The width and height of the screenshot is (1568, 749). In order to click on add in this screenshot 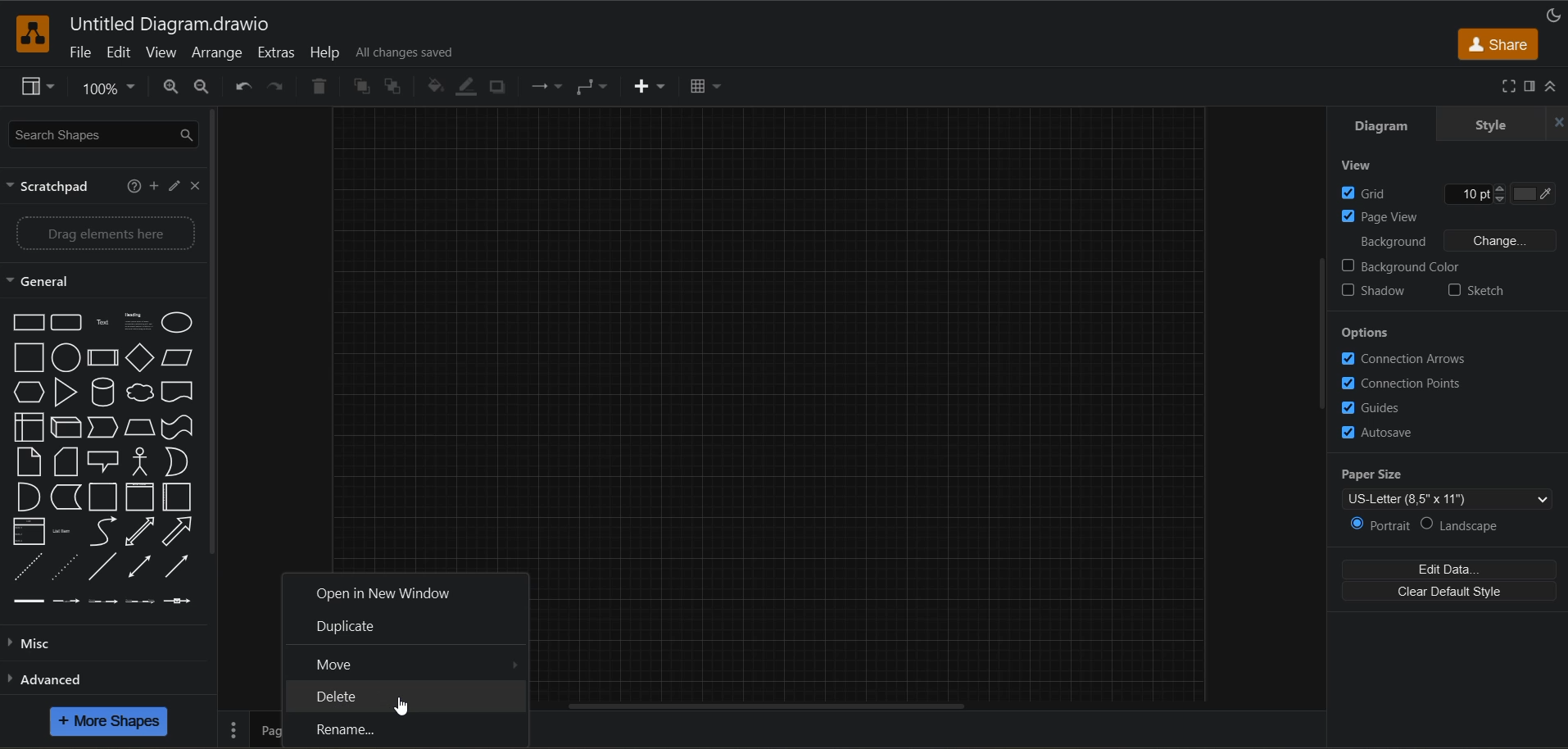, I will do `click(152, 189)`.